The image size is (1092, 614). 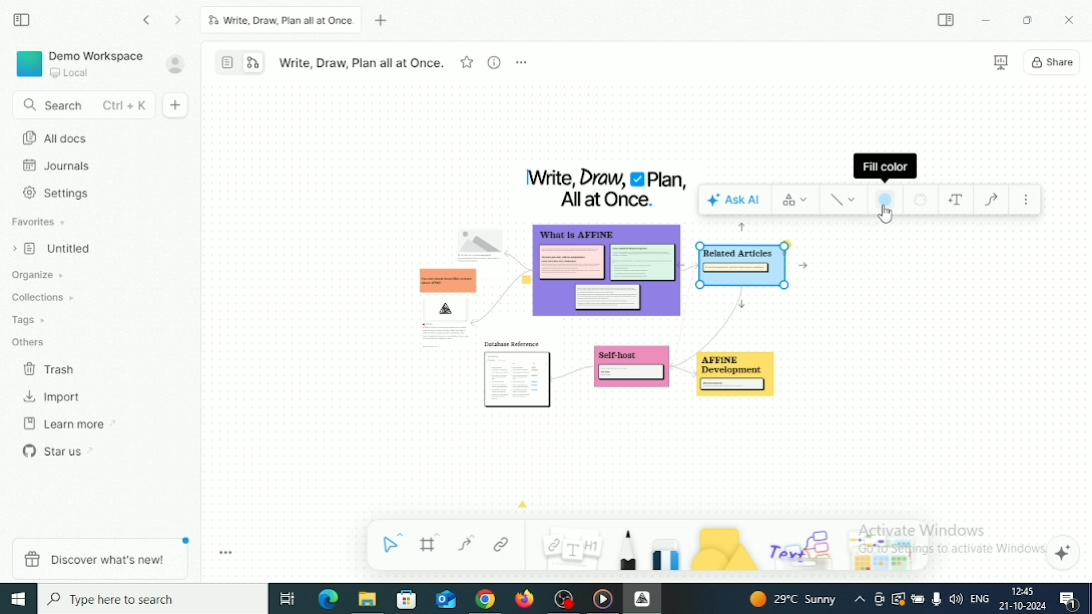 I want to click on Language, so click(x=979, y=600).